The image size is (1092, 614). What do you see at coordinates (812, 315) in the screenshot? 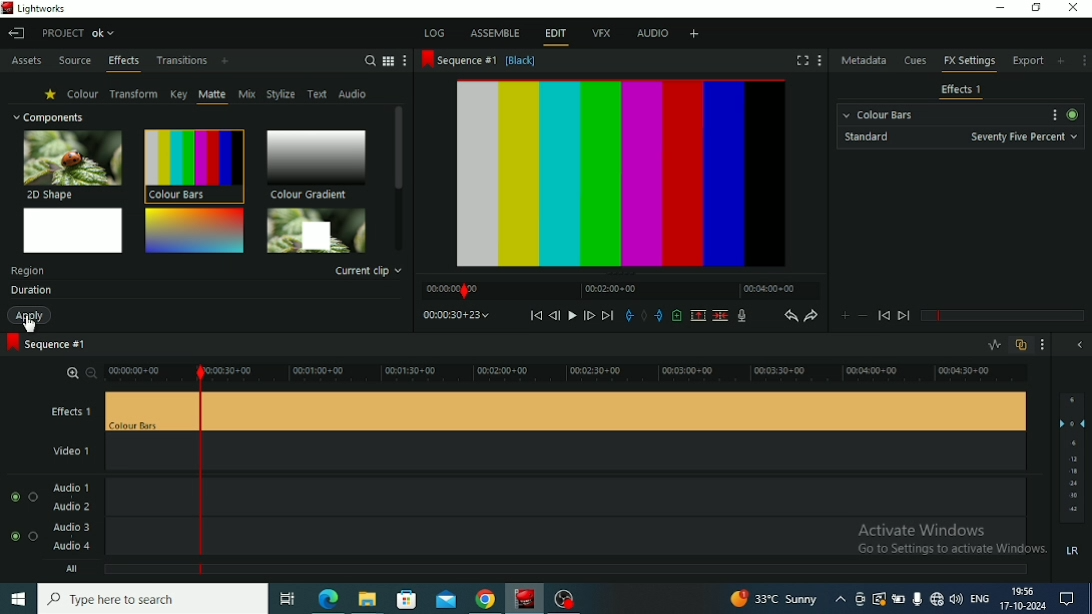
I see `Redo` at bounding box center [812, 315].